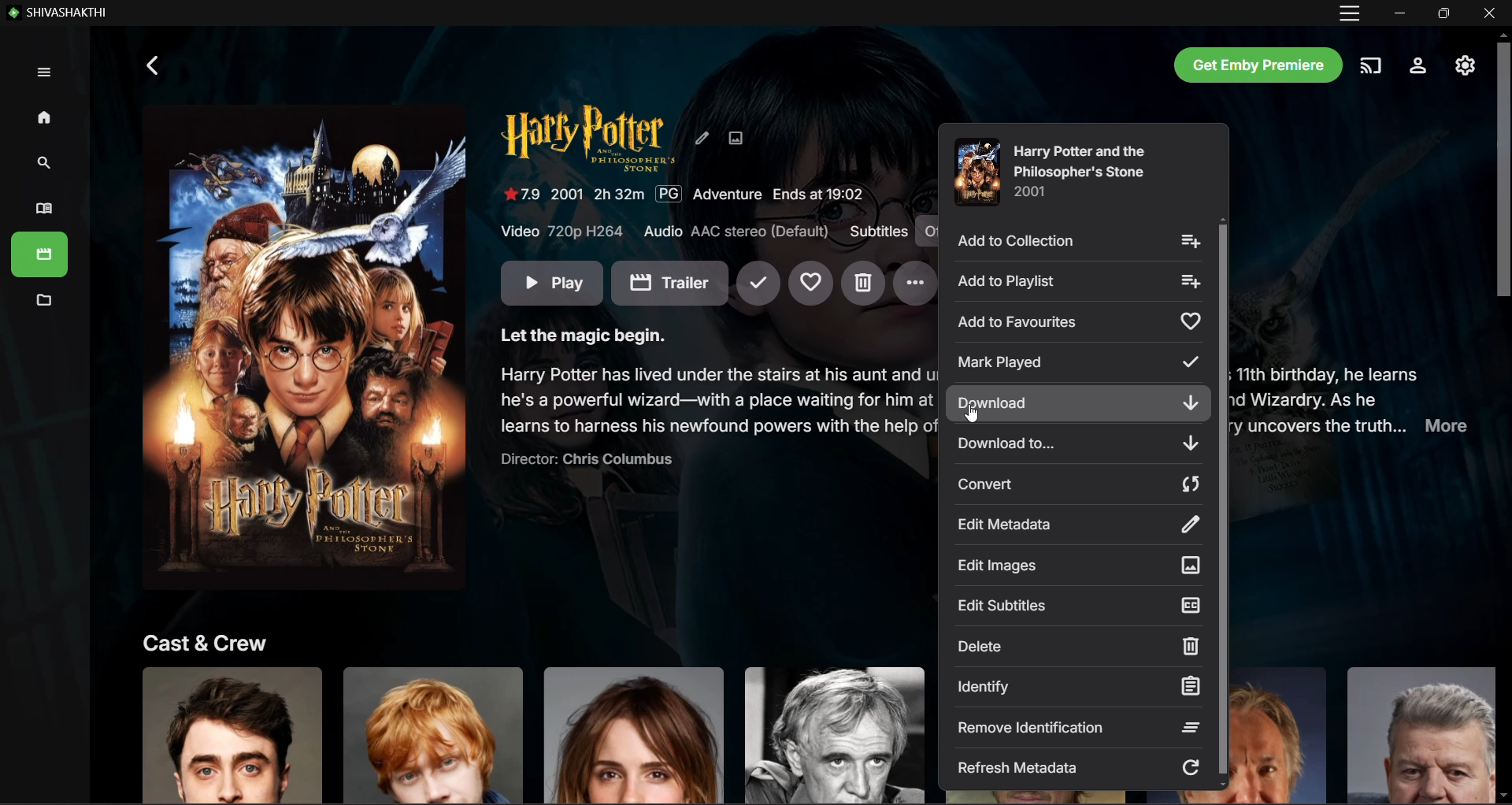 This screenshot has height=805, width=1512. I want to click on Download To, so click(1078, 443).